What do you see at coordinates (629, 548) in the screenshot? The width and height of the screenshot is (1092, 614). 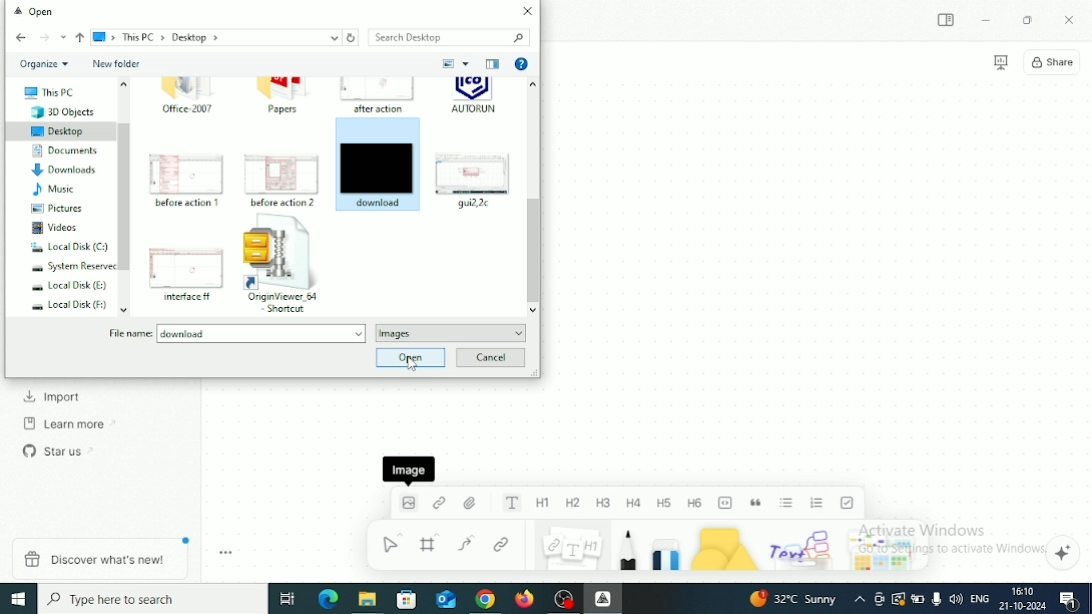 I see `Pen` at bounding box center [629, 548].